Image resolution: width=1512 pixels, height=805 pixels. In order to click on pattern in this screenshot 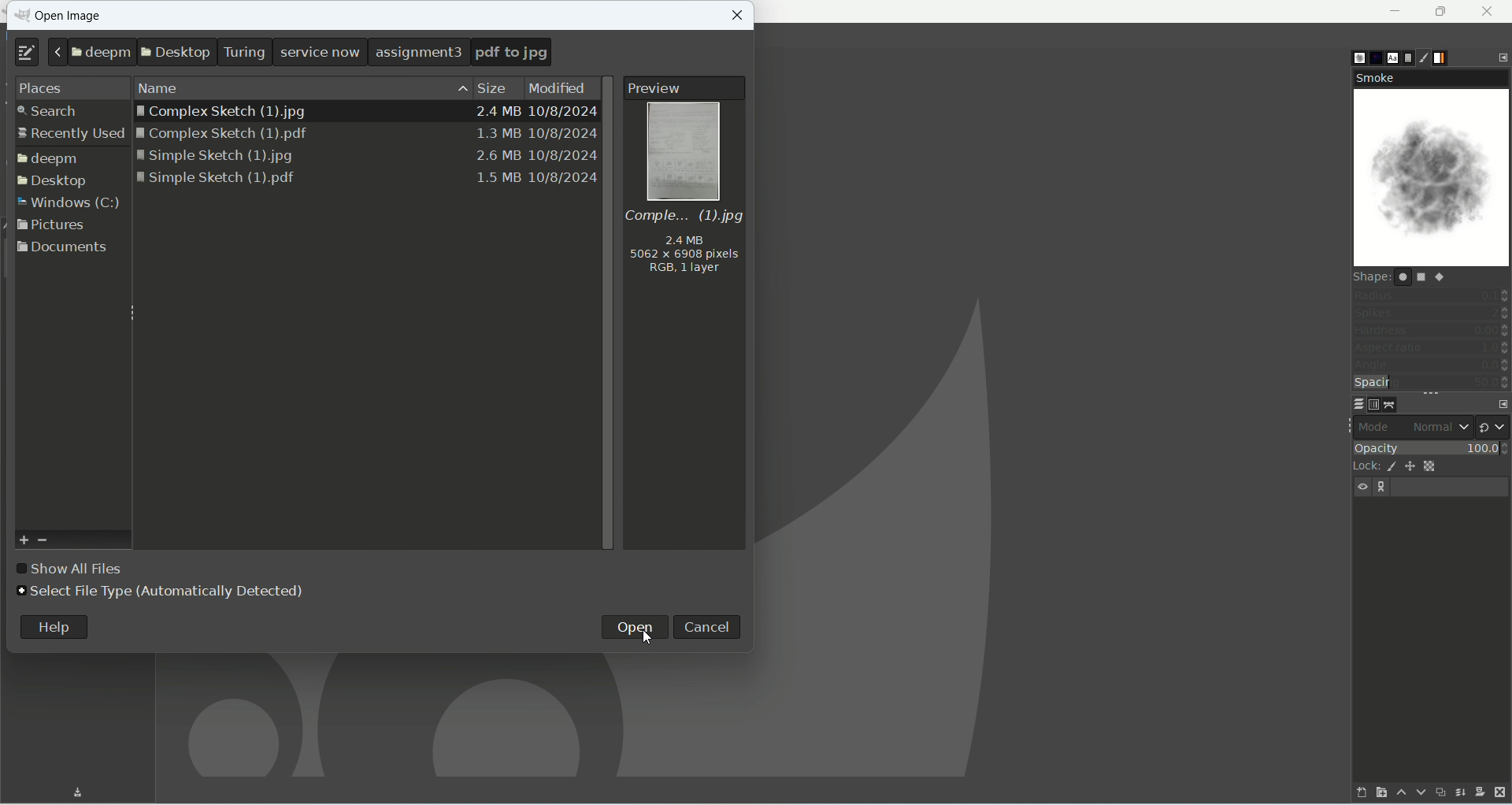, I will do `click(1374, 57)`.